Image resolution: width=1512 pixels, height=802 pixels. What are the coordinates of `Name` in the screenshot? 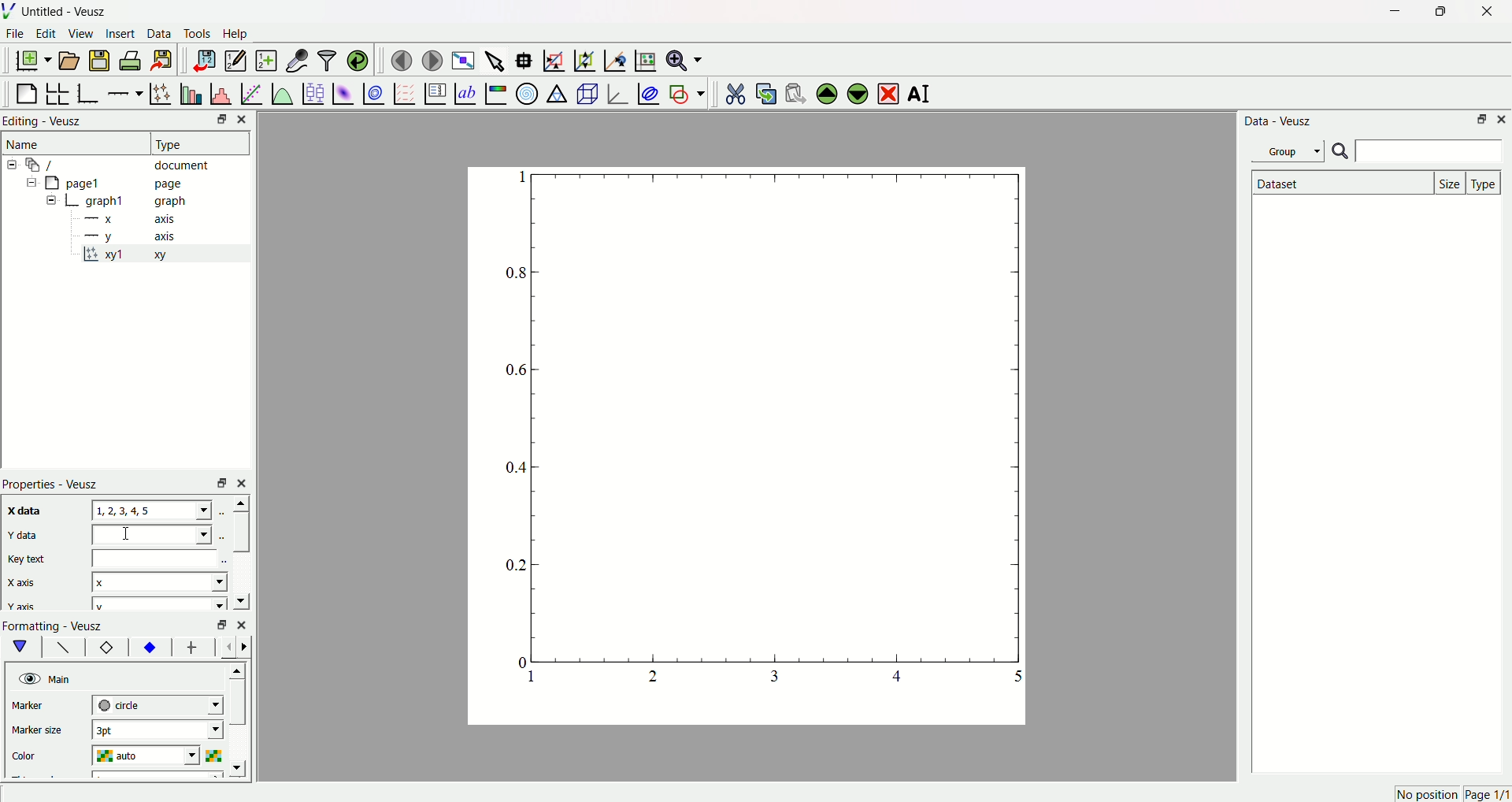 It's located at (26, 144).